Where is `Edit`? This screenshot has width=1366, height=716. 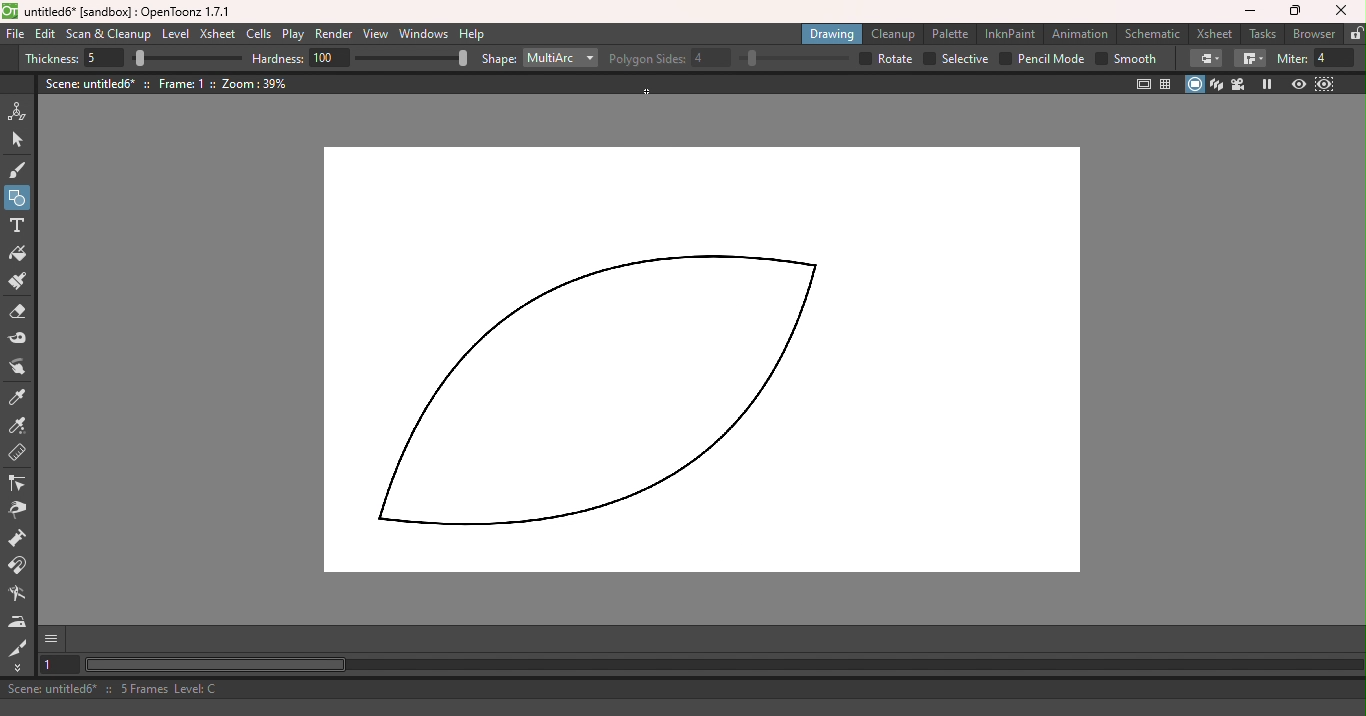
Edit is located at coordinates (45, 36).